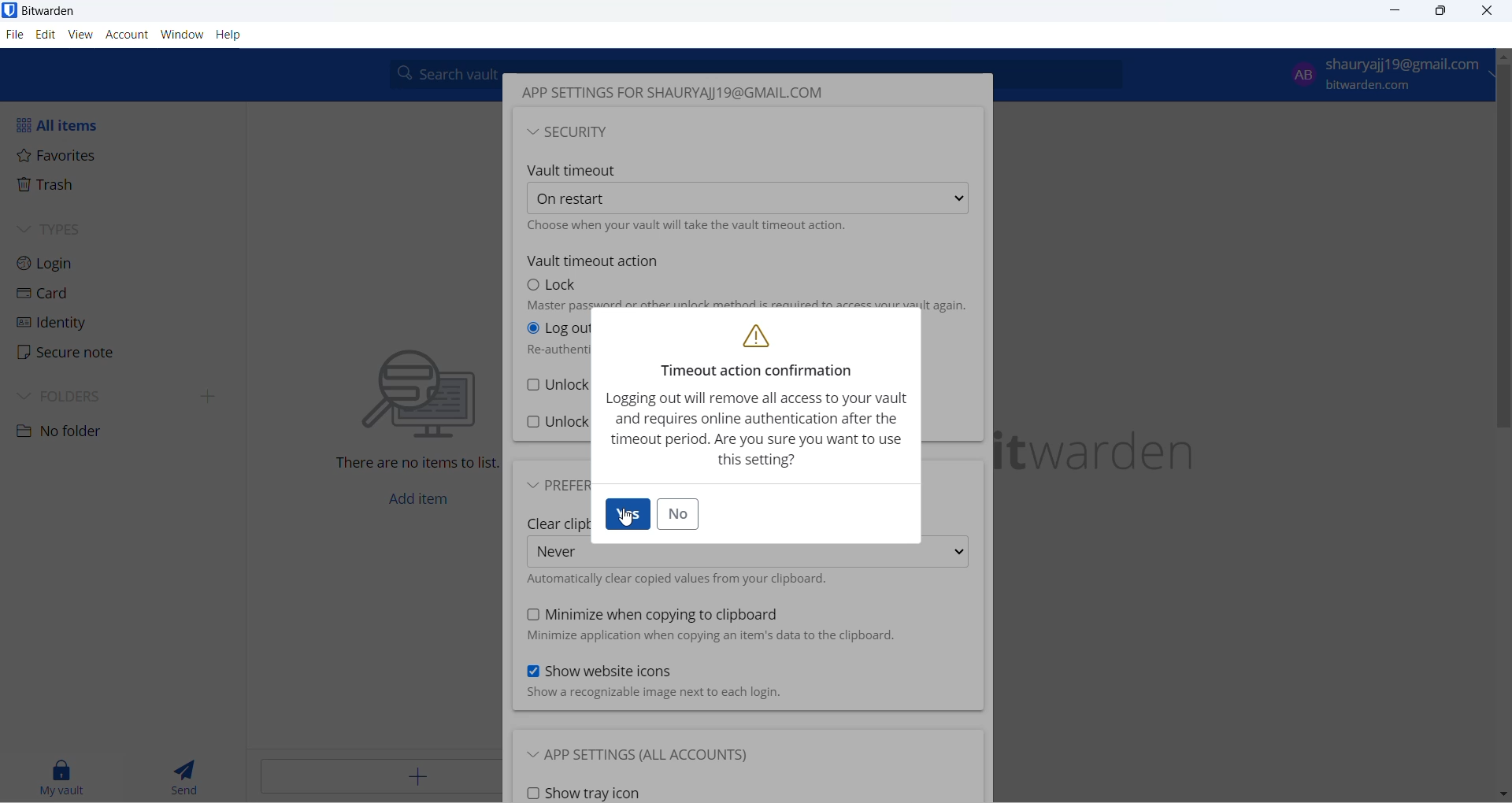 The height and width of the screenshot is (803, 1512). Describe the element at coordinates (659, 758) in the screenshot. I see `app settings` at that location.